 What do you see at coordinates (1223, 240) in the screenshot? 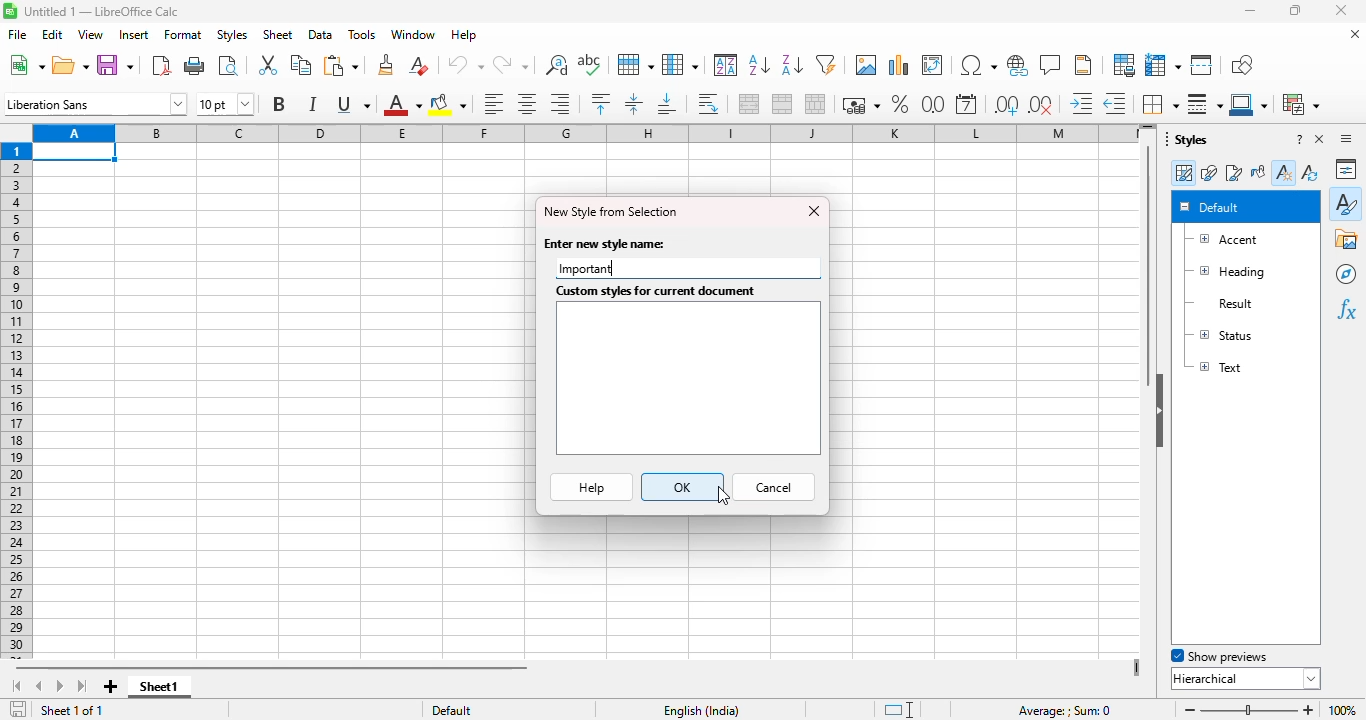
I see `accent` at bounding box center [1223, 240].